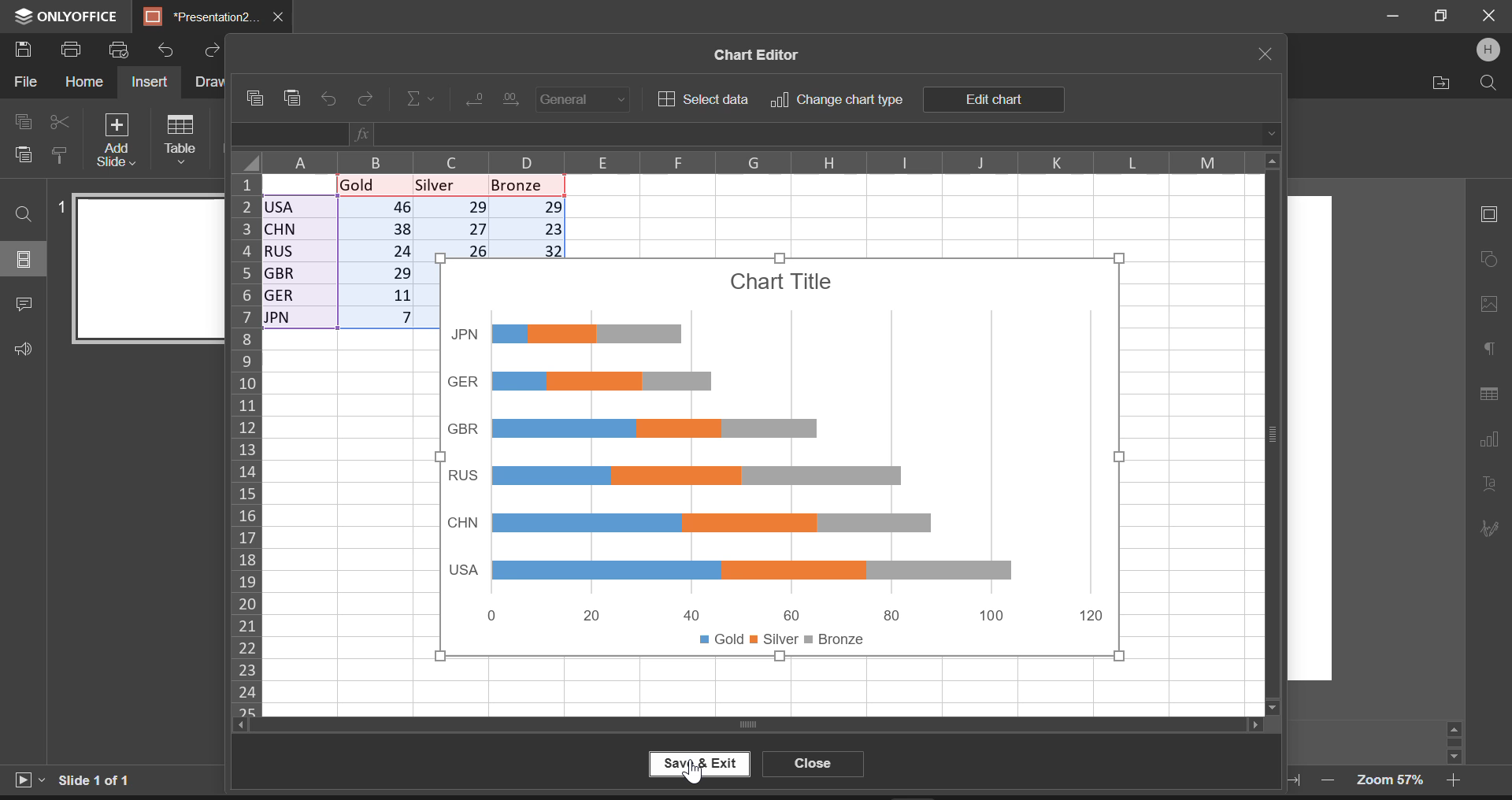  Describe the element at coordinates (293, 97) in the screenshot. I see `Paste` at that location.